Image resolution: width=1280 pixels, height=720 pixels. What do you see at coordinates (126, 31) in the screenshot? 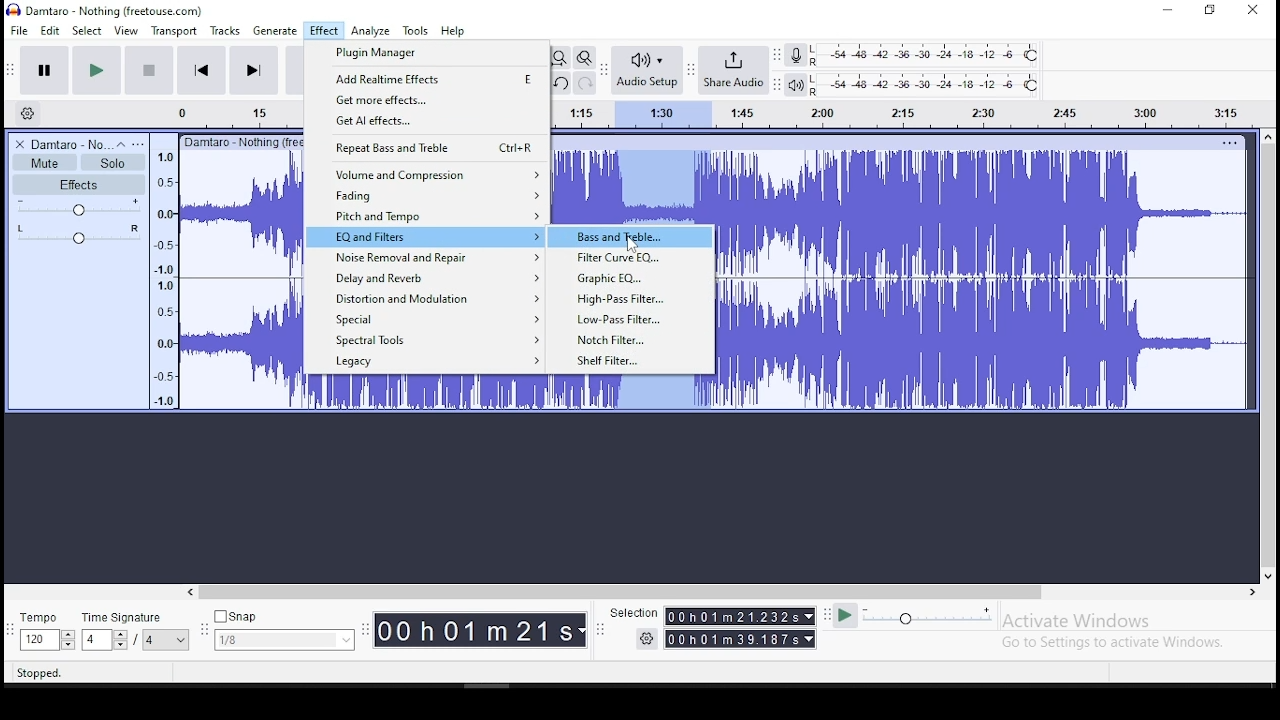
I see `view` at bounding box center [126, 31].